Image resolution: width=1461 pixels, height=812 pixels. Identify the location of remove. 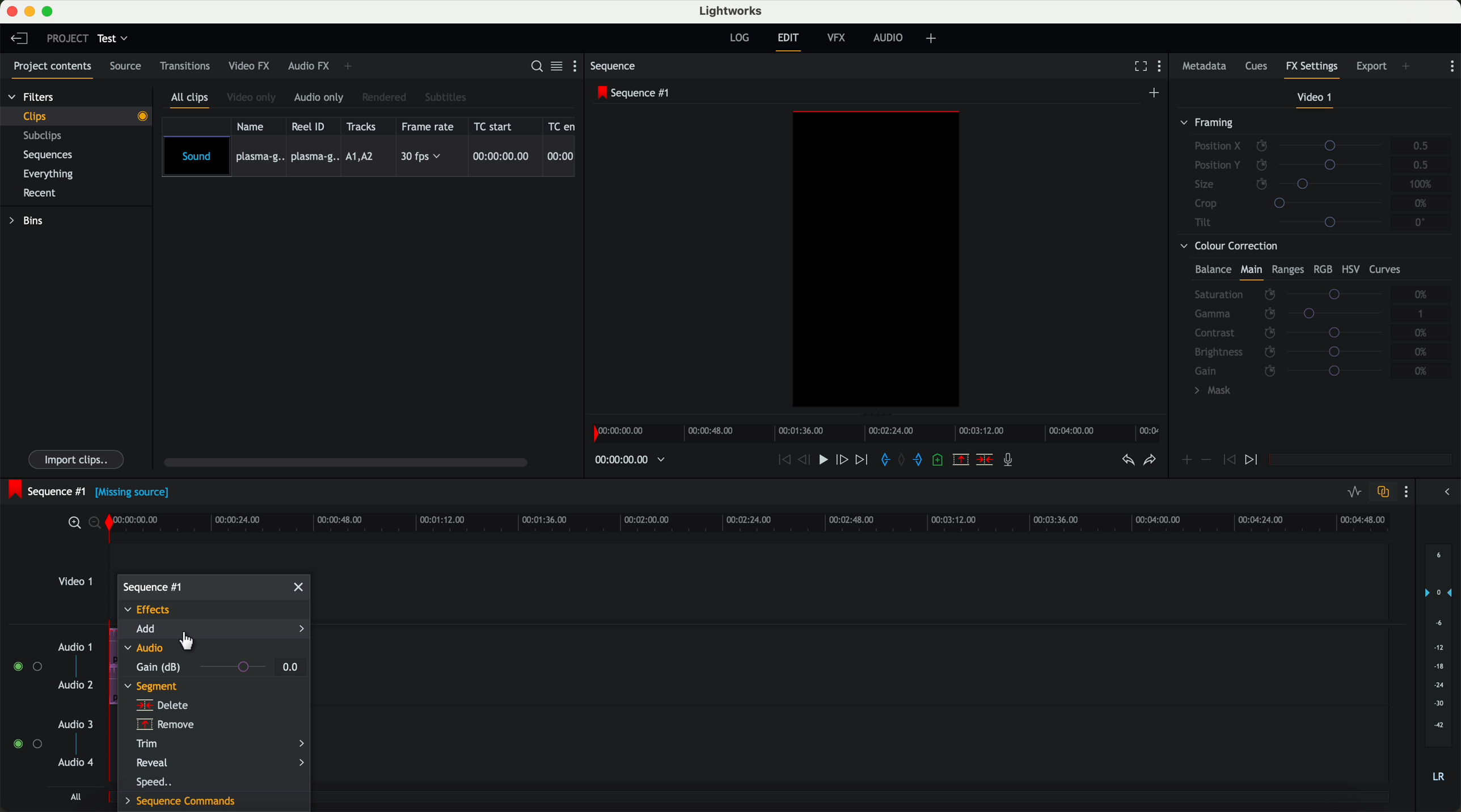
(163, 725).